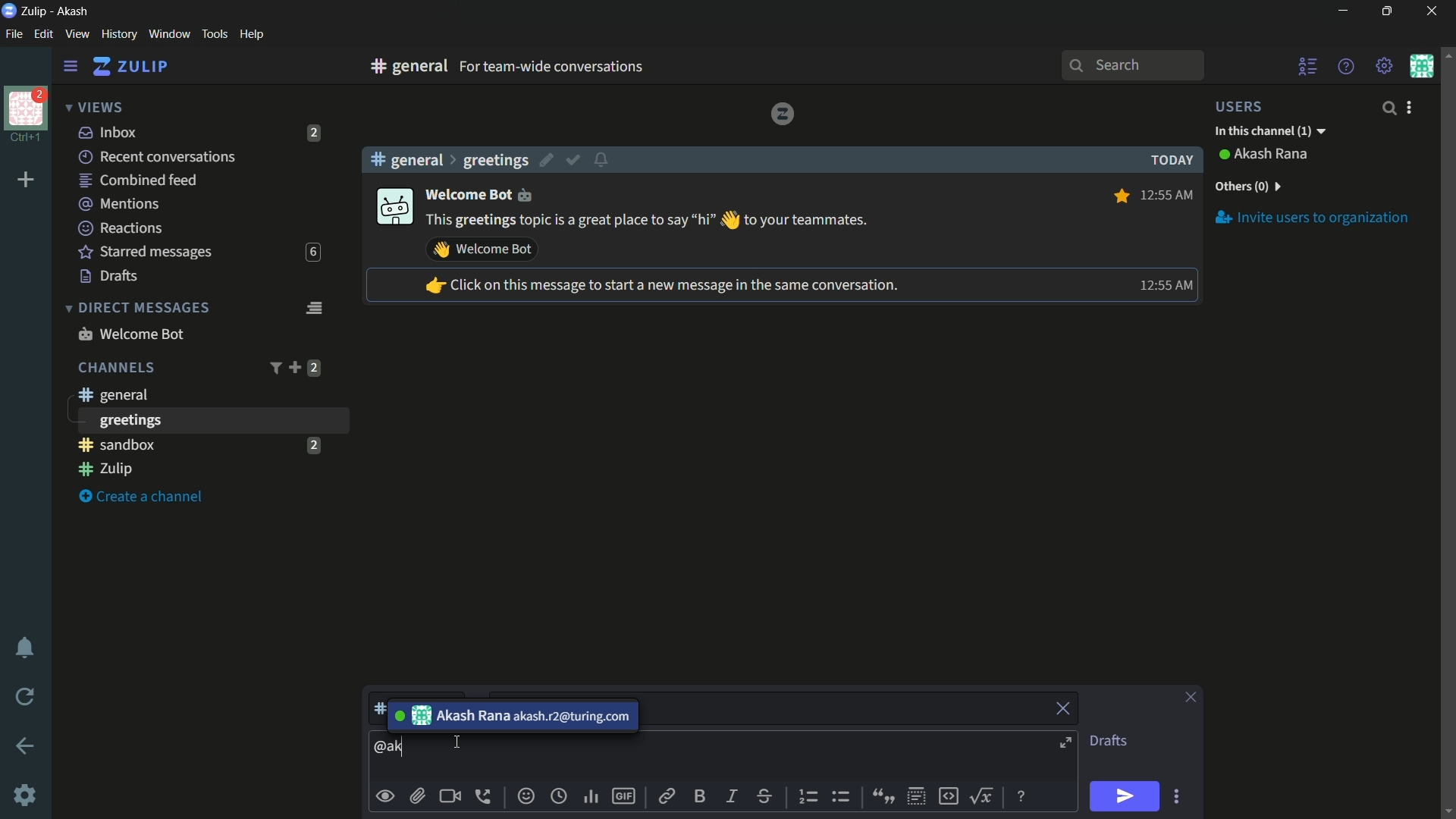 Image resolution: width=1456 pixels, height=819 pixels. What do you see at coordinates (185, 444) in the screenshot?
I see `sandbox` at bounding box center [185, 444].